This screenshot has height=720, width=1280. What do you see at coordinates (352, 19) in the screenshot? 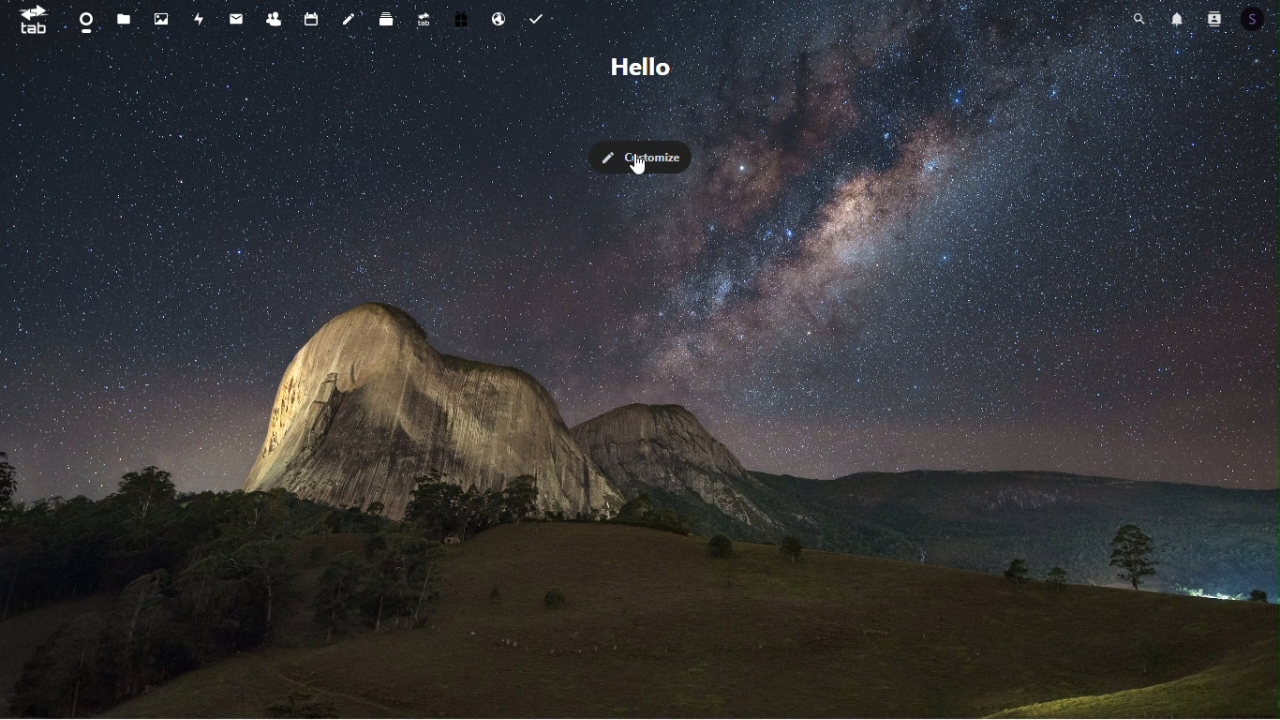
I see `notes` at bounding box center [352, 19].